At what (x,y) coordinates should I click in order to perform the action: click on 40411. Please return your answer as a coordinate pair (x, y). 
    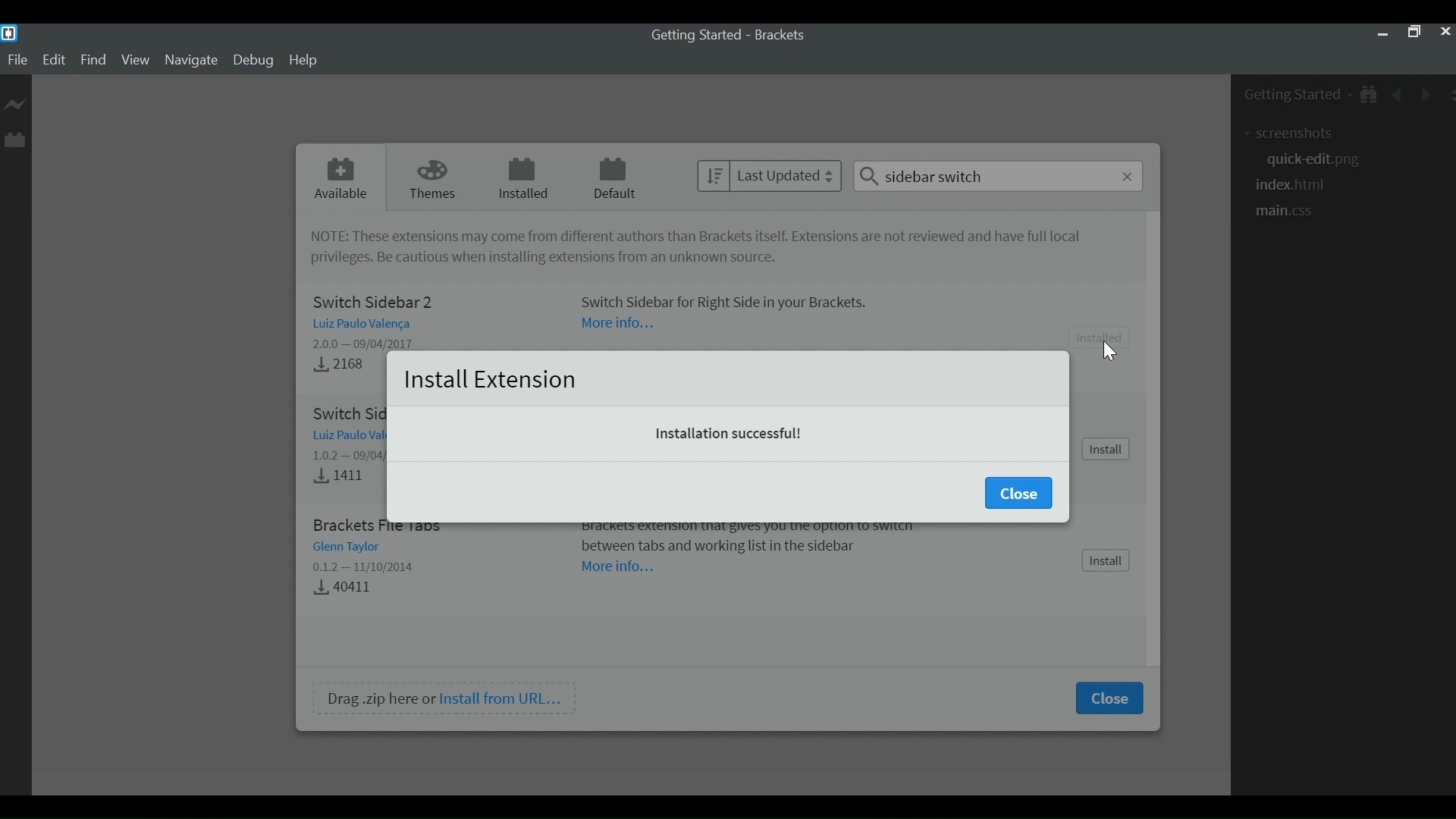
    Looking at the image, I should click on (347, 591).